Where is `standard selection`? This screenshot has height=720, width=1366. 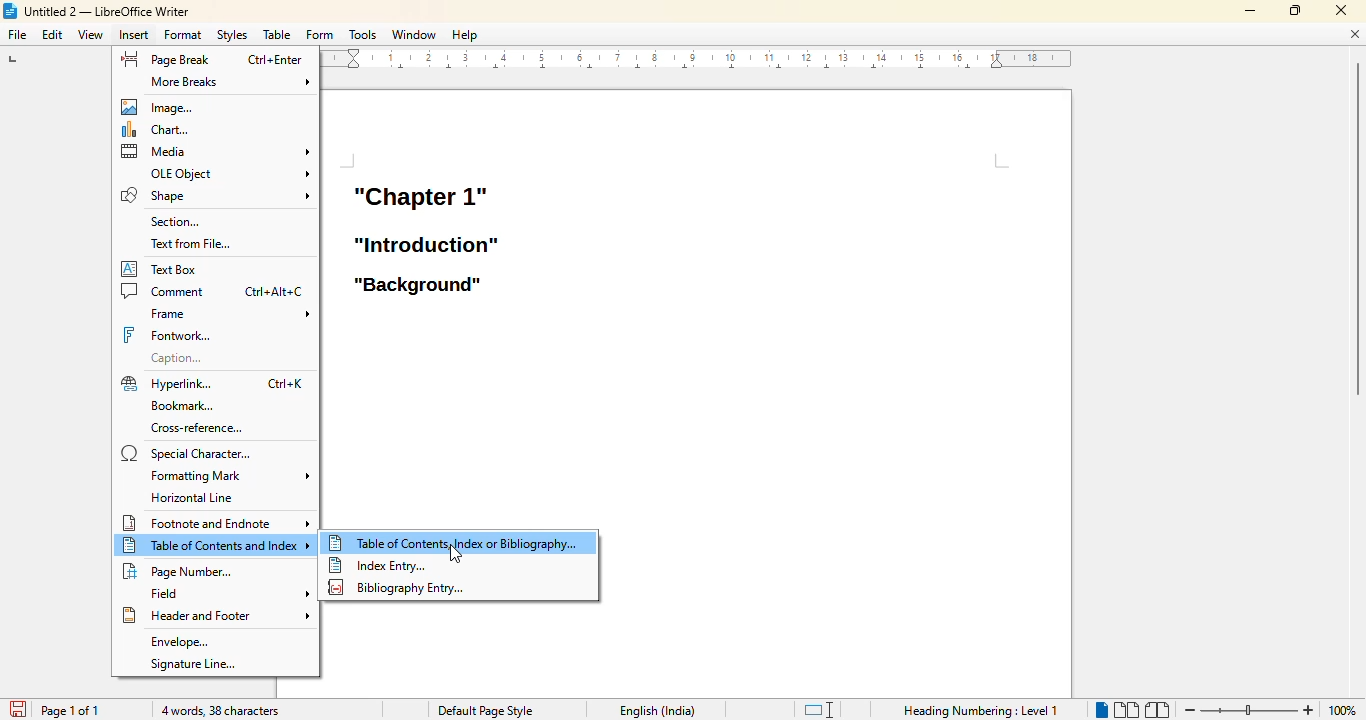 standard selection is located at coordinates (819, 709).